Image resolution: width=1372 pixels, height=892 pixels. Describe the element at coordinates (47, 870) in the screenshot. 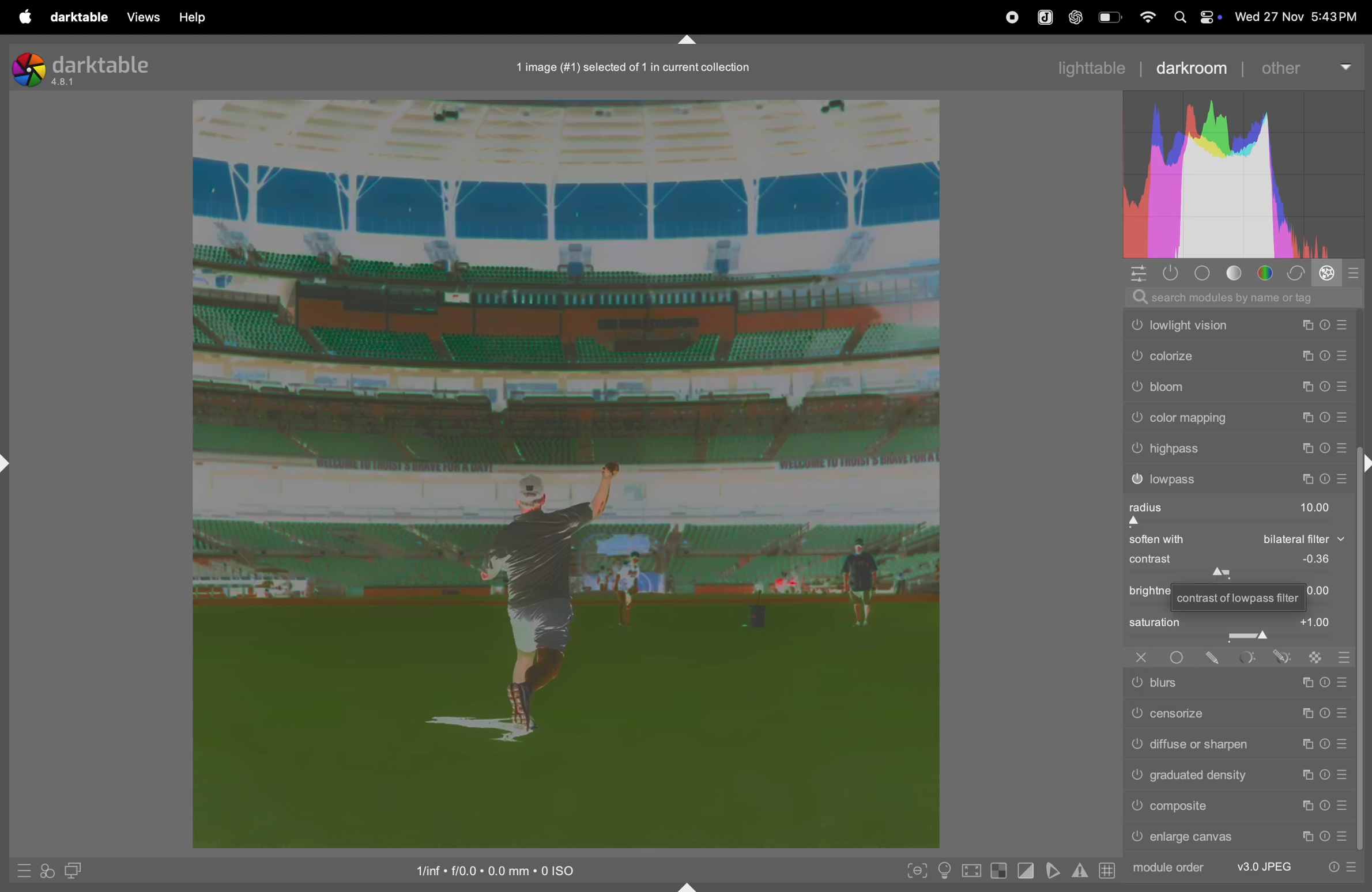

I see `quick acess for applying styles` at that location.